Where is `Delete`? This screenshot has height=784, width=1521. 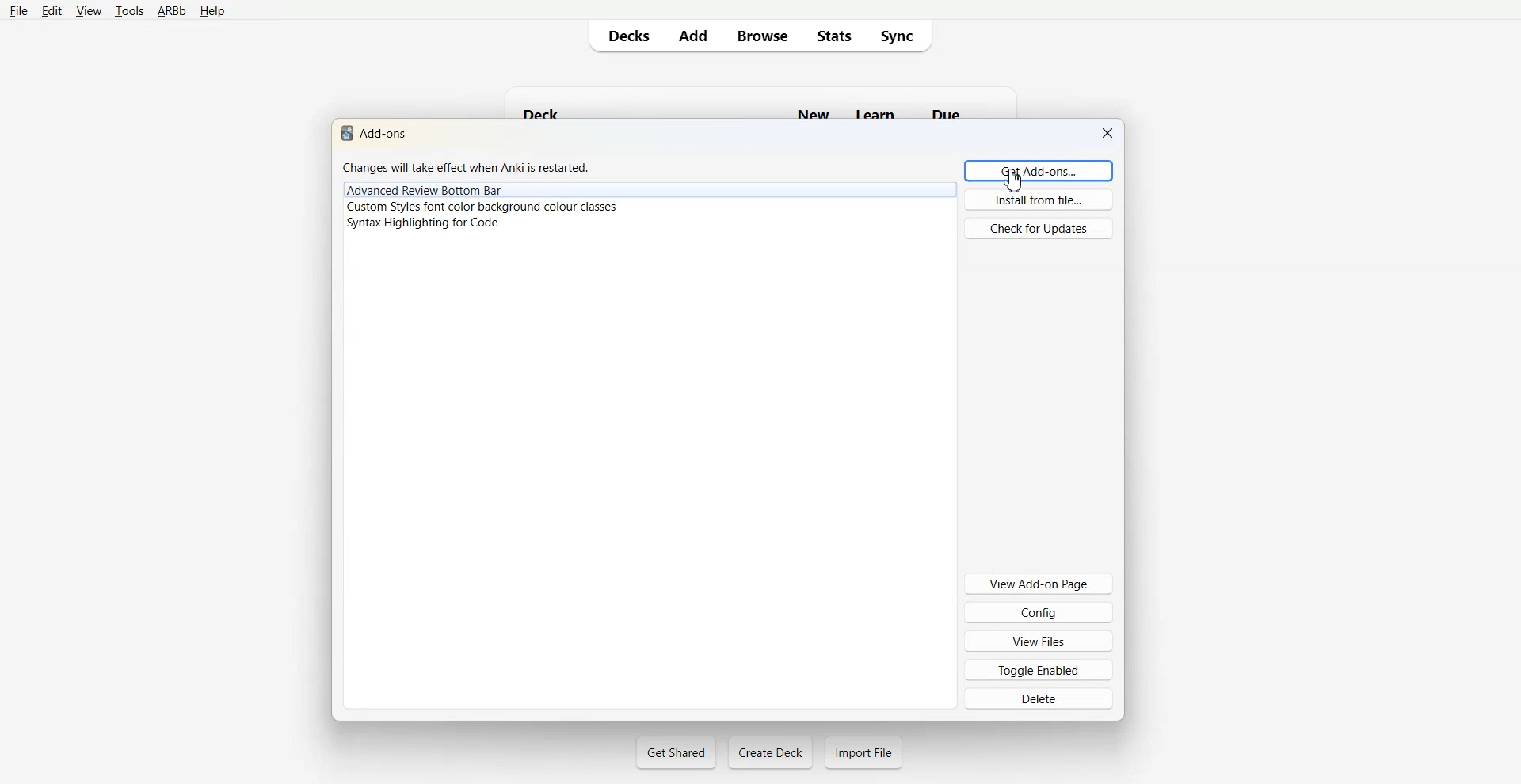
Delete is located at coordinates (1039, 698).